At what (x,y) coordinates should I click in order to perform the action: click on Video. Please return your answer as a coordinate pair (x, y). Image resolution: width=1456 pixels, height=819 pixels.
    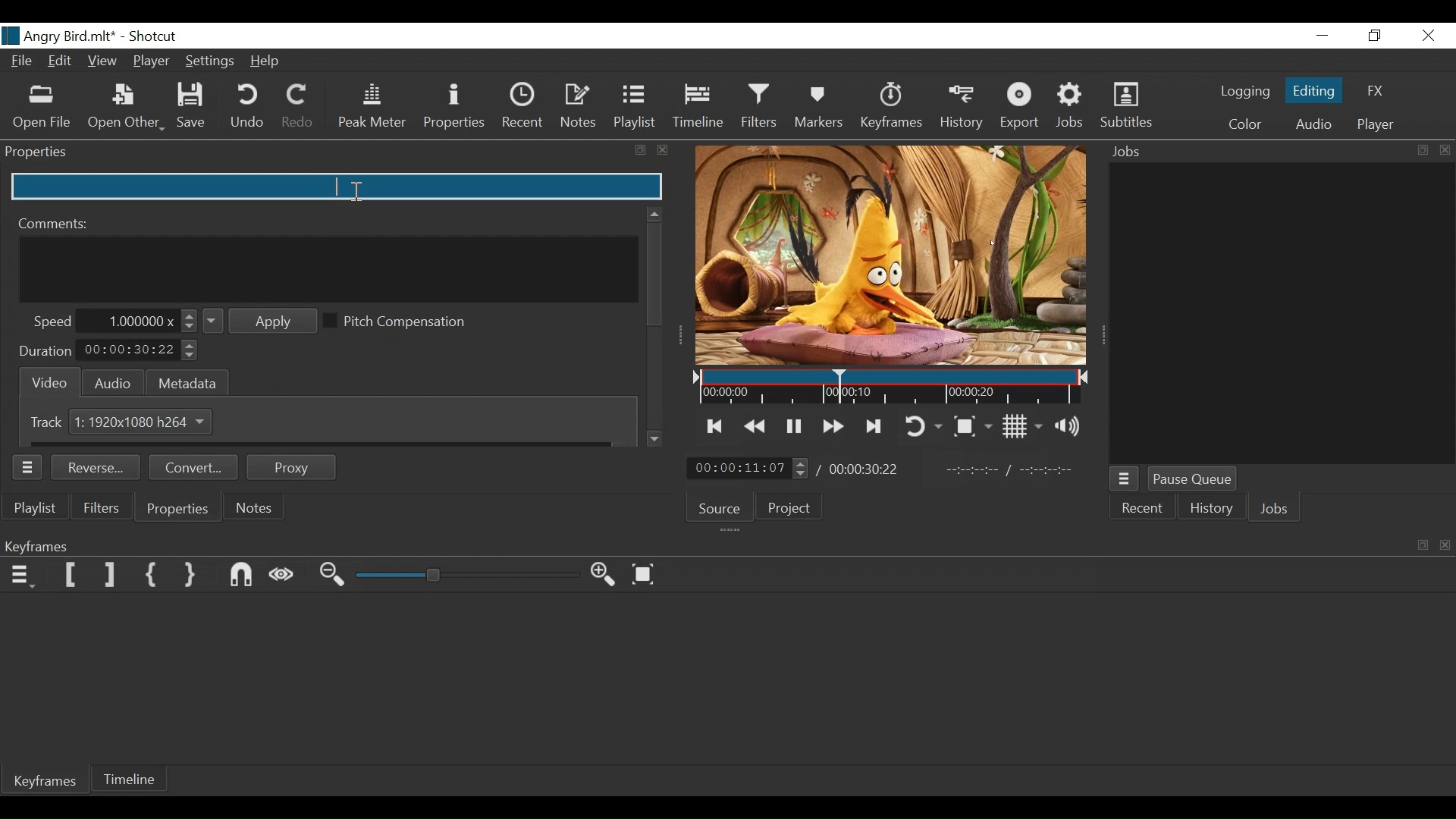
    Looking at the image, I should click on (46, 381).